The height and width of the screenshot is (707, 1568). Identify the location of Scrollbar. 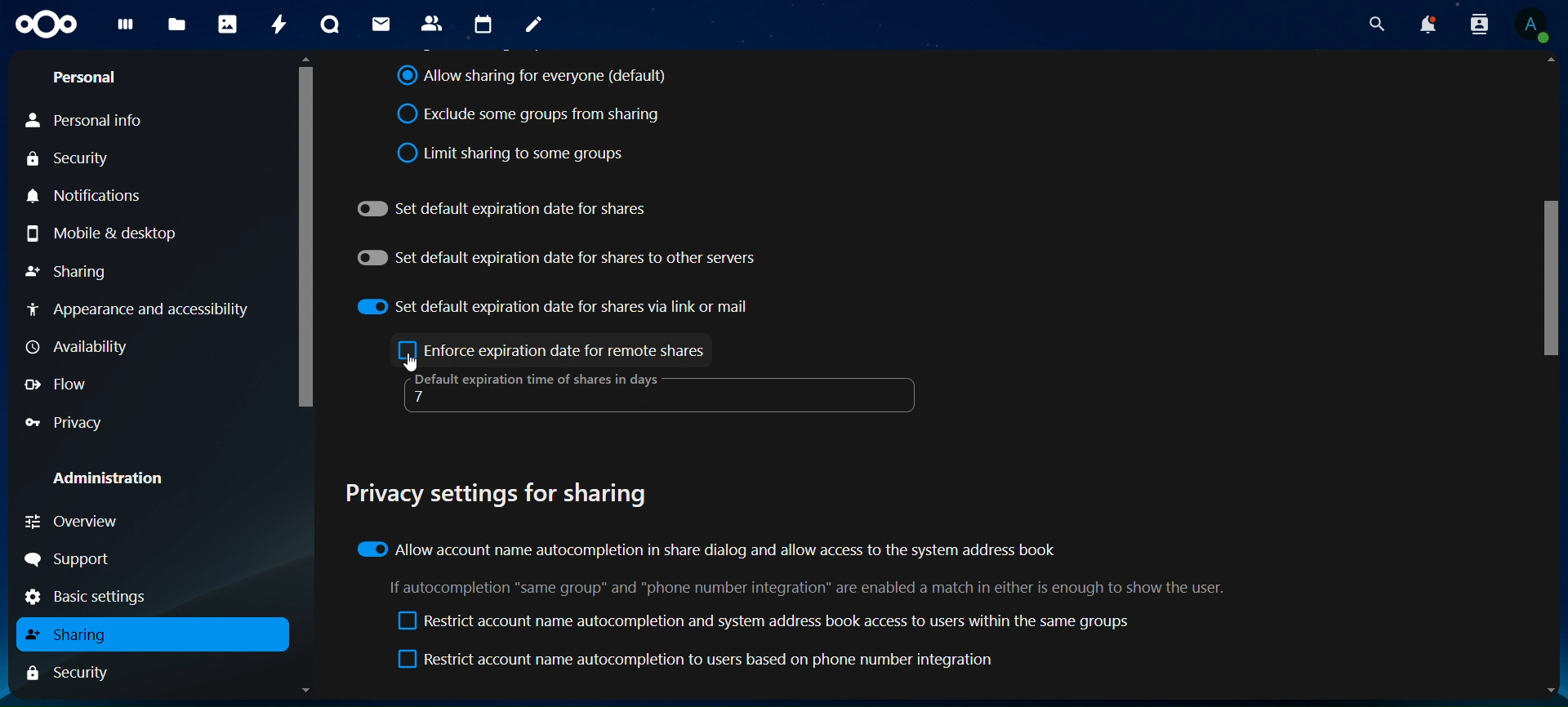
(301, 378).